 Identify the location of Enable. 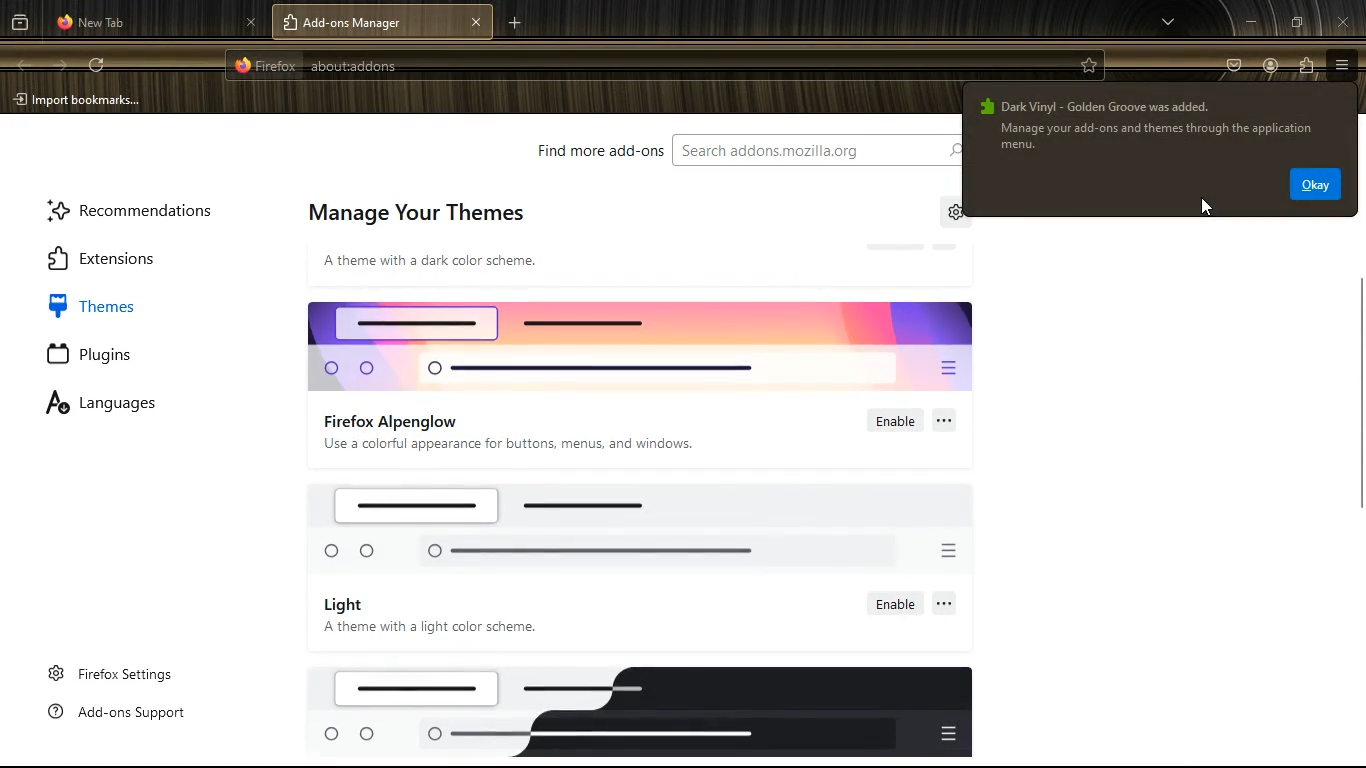
(894, 601).